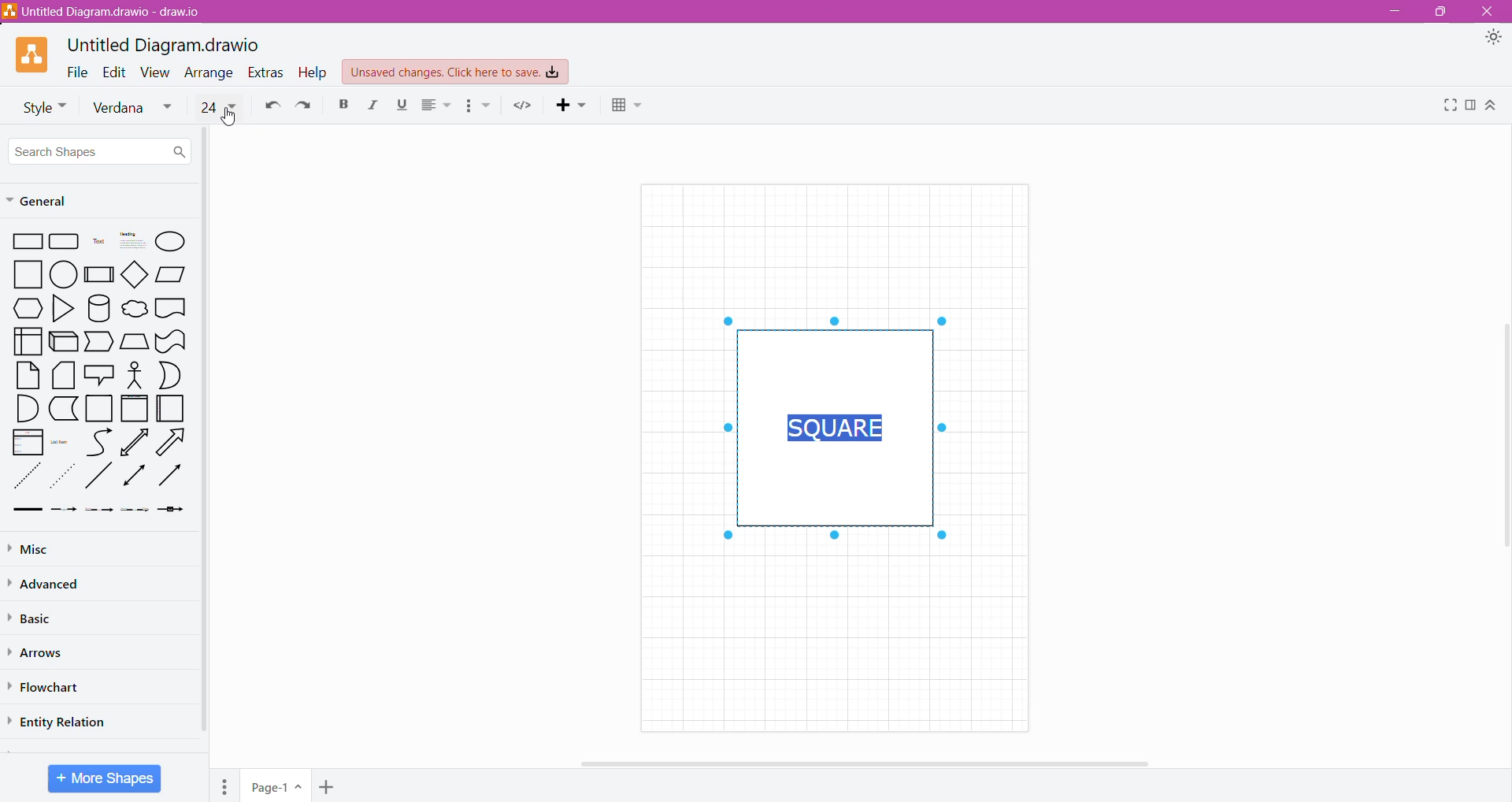 Image resolution: width=1512 pixels, height=802 pixels. Describe the element at coordinates (98, 443) in the screenshot. I see `Curved Line ` at that location.